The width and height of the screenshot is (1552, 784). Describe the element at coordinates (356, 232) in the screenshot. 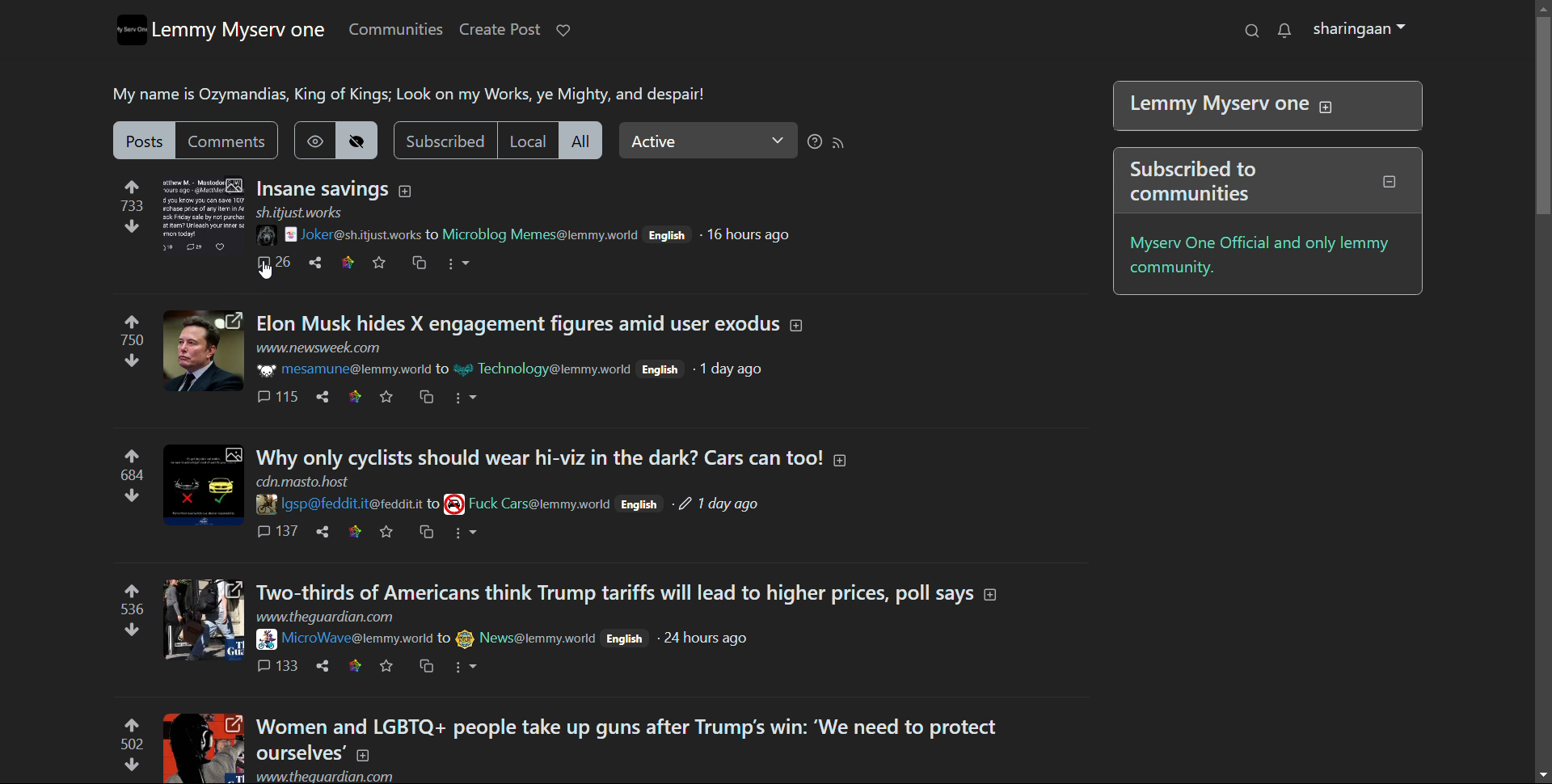

I see `username` at that location.